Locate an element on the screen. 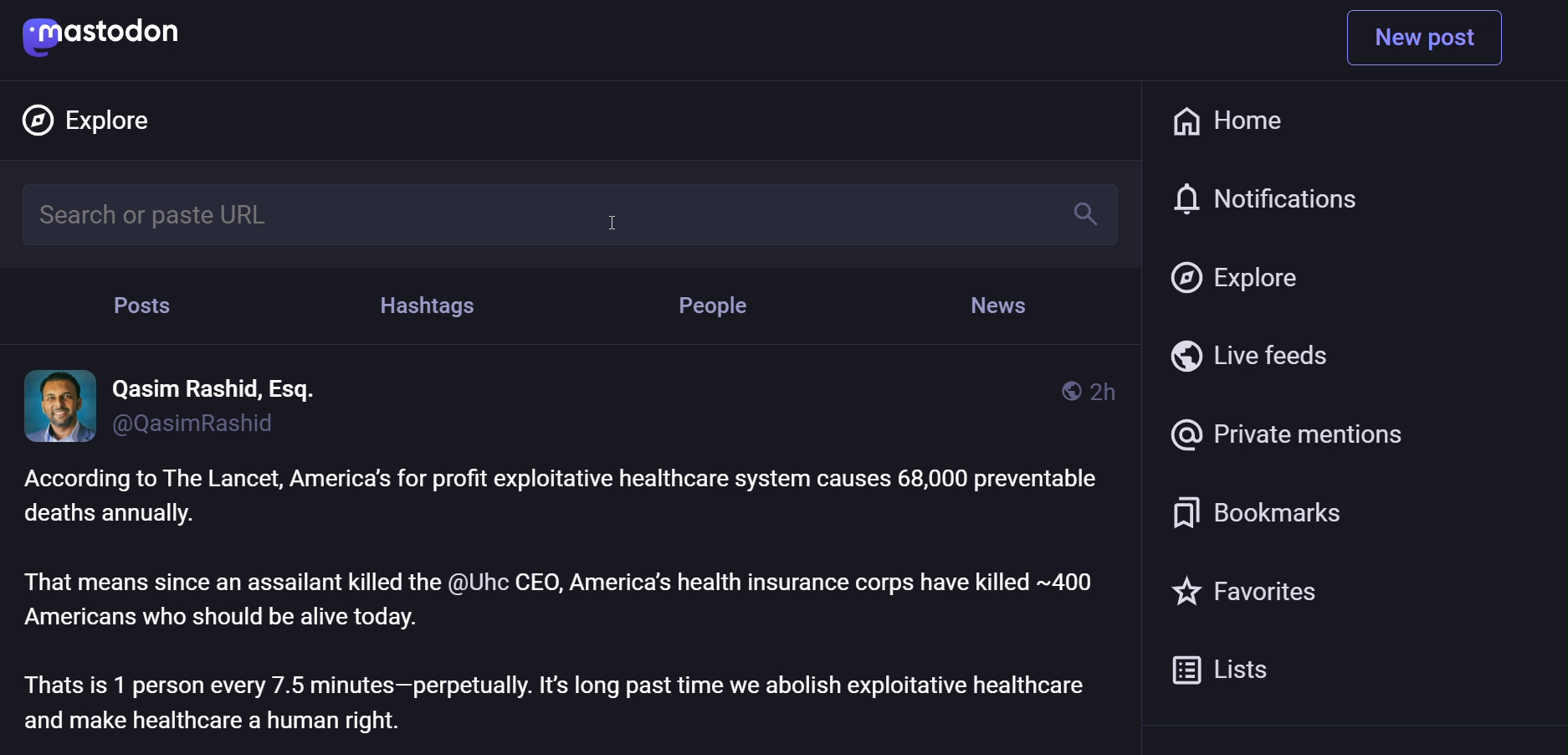 Image resolution: width=1568 pixels, height=755 pixels. favorite is located at coordinates (1237, 593).